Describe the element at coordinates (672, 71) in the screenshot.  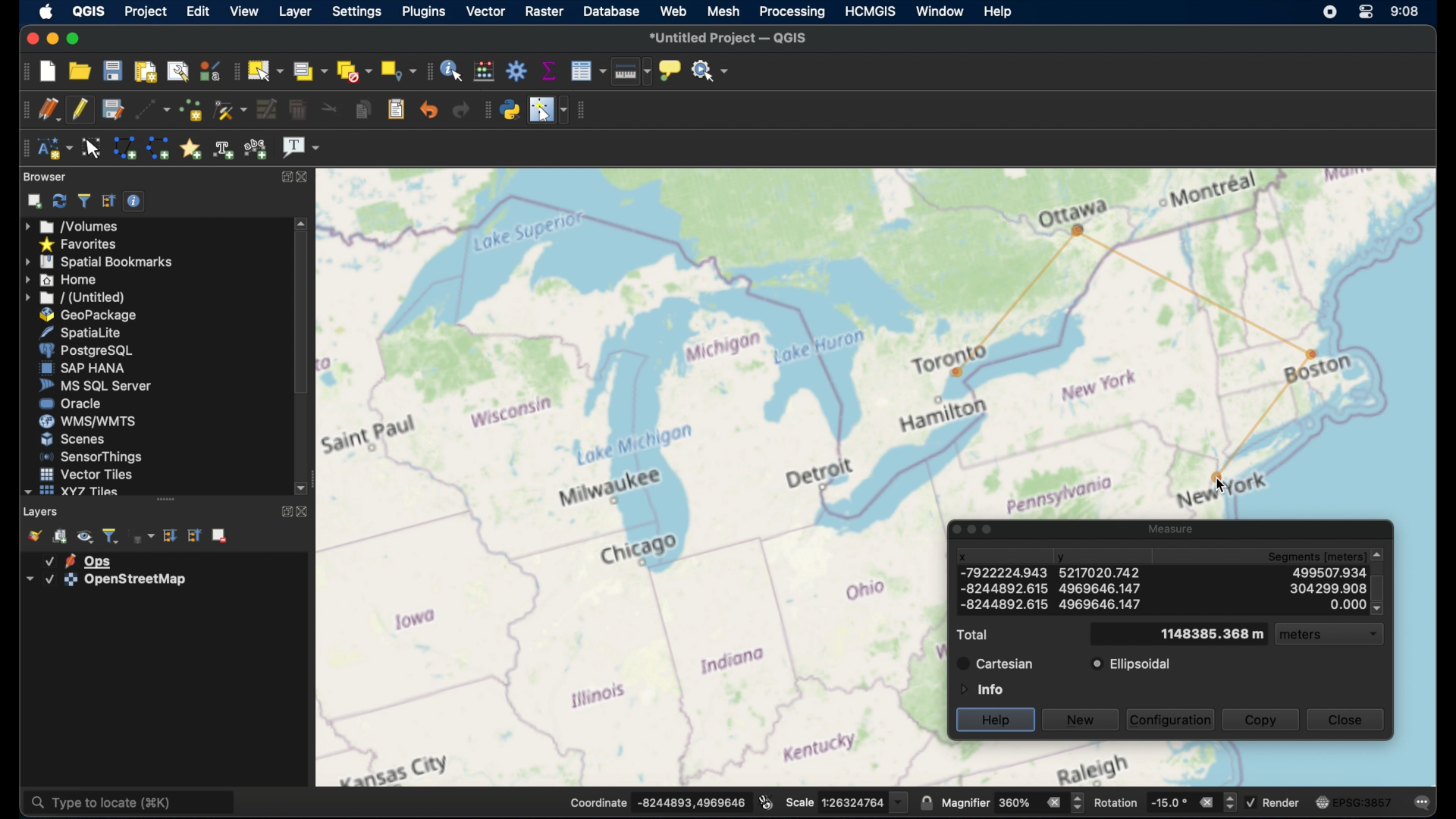
I see `show map tips` at that location.